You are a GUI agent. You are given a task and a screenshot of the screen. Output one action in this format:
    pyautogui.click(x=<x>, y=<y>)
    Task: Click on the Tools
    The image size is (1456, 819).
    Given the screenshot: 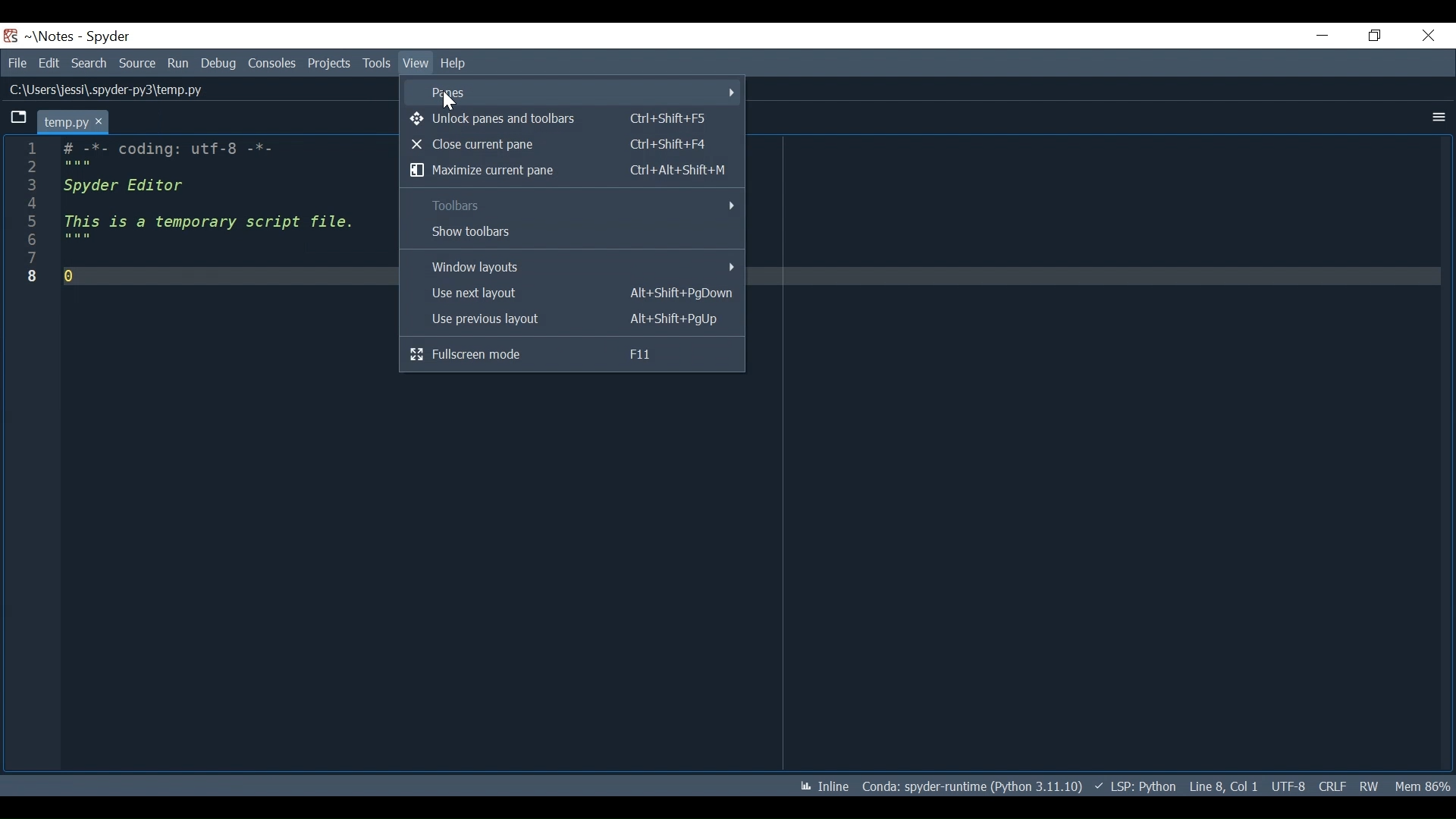 What is the action you would take?
    pyautogui.click(x=377, y=64)
    